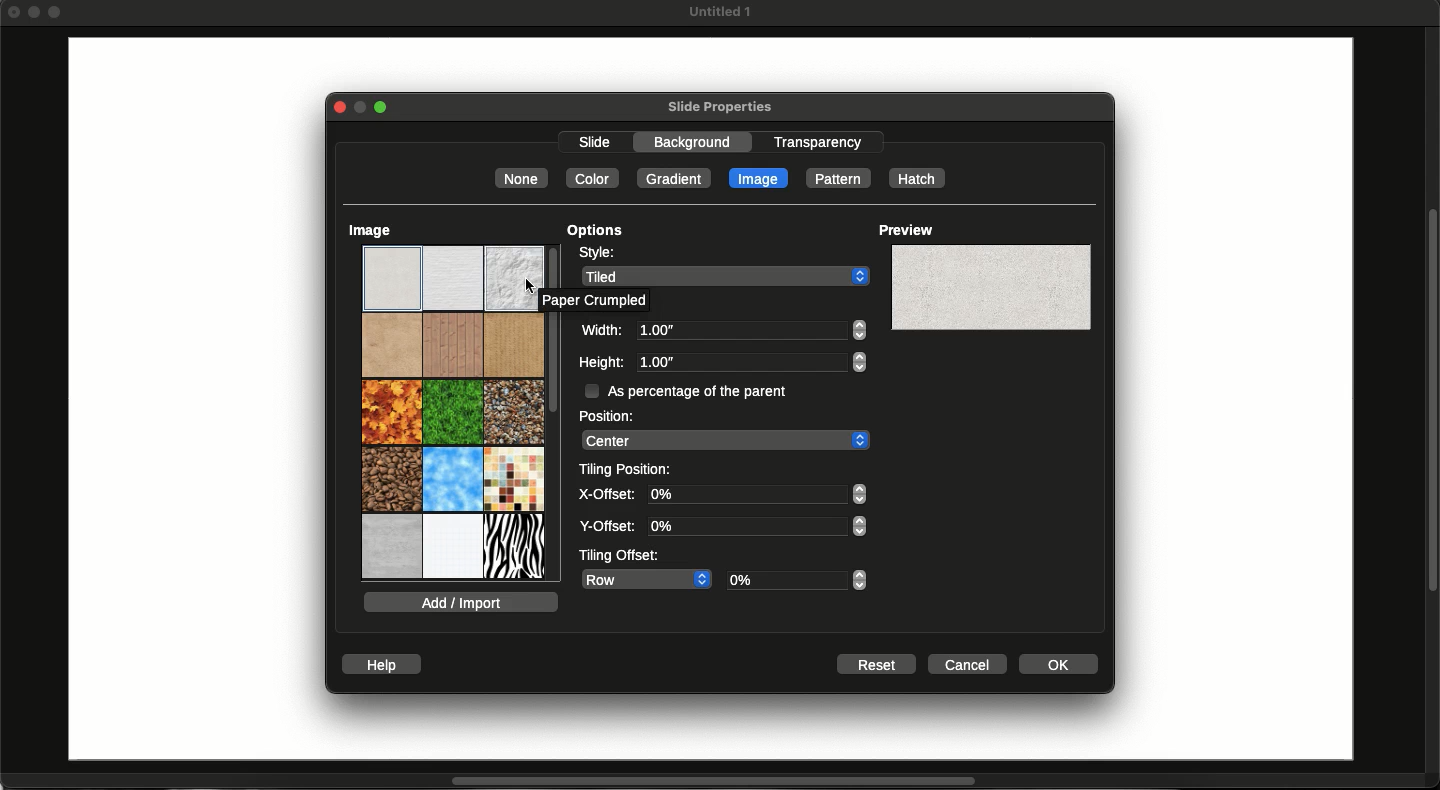 The height and width of the screenshot is (790, 1440). Describe the element at coordinates (590, 390) in the screenshot. I see `Checkbox` at that location.